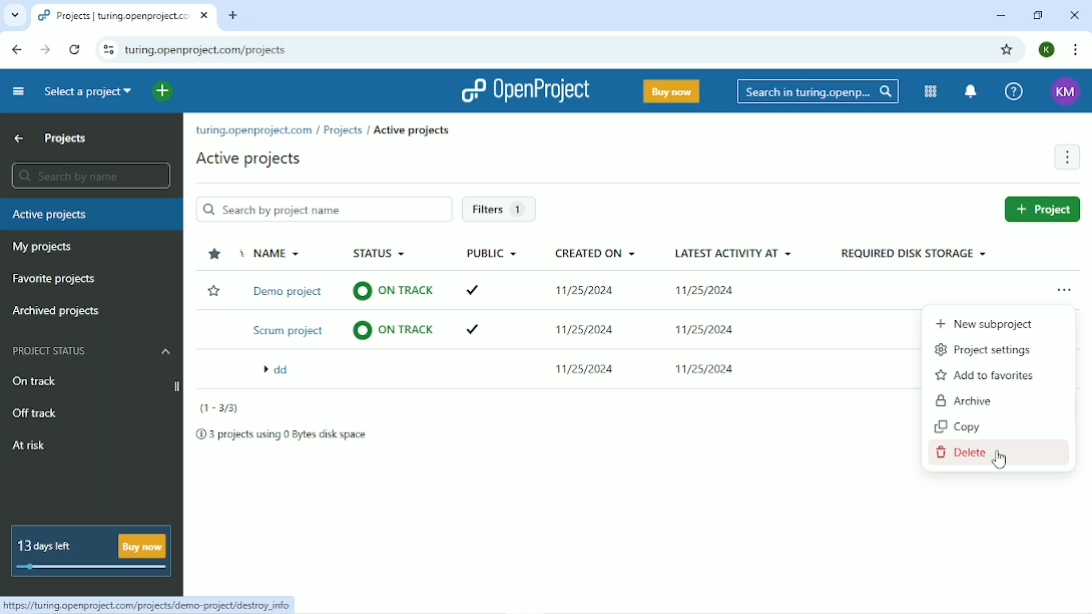 Image resolution: width=1092 pixels, height=614 pixels. What do you see at coordinates (323, 209) in the screenshot?
I see `Search by project name` at bounding box center [323, 209].